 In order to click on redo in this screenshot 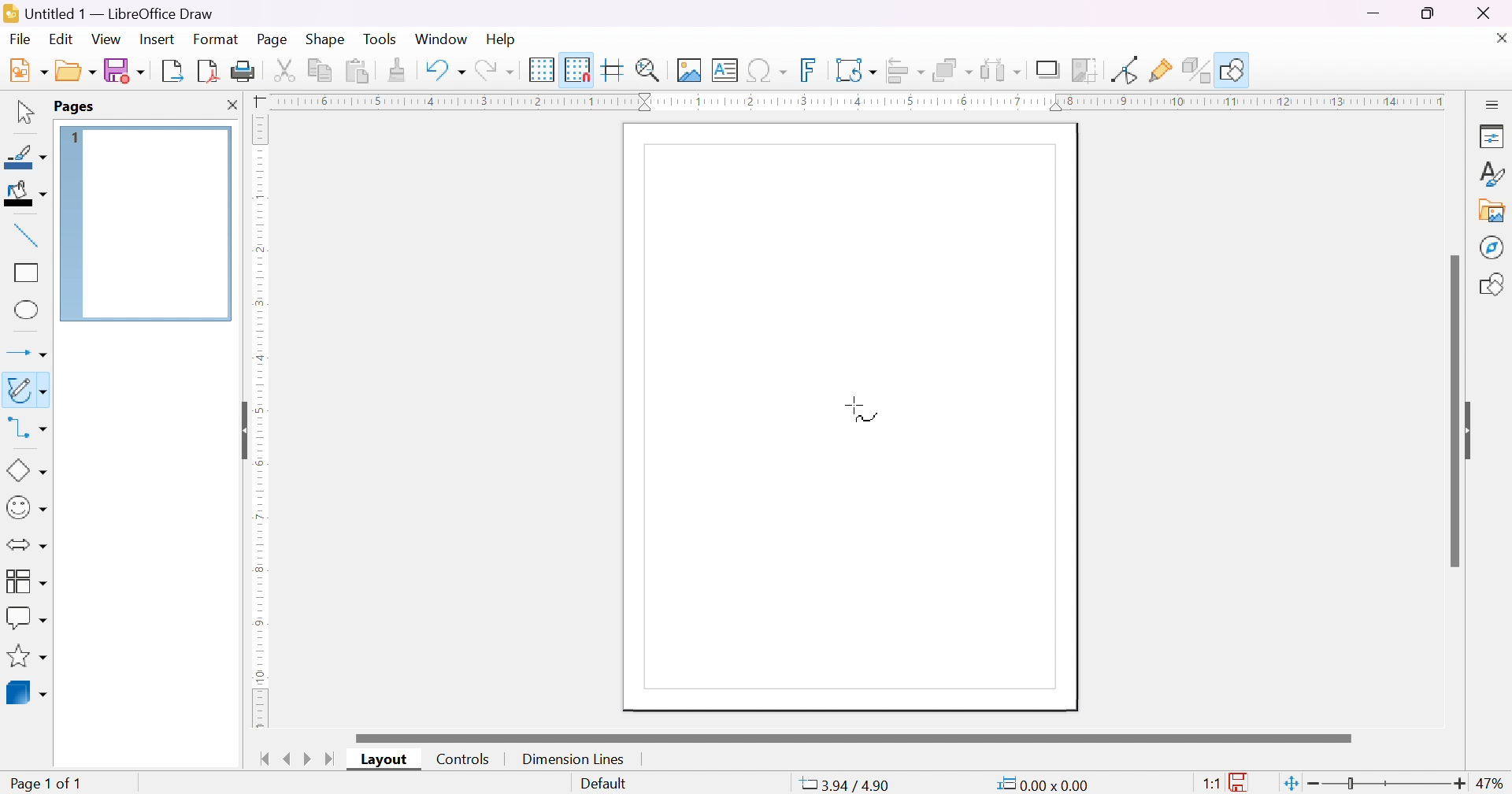, I will do `click(492, 70)`.